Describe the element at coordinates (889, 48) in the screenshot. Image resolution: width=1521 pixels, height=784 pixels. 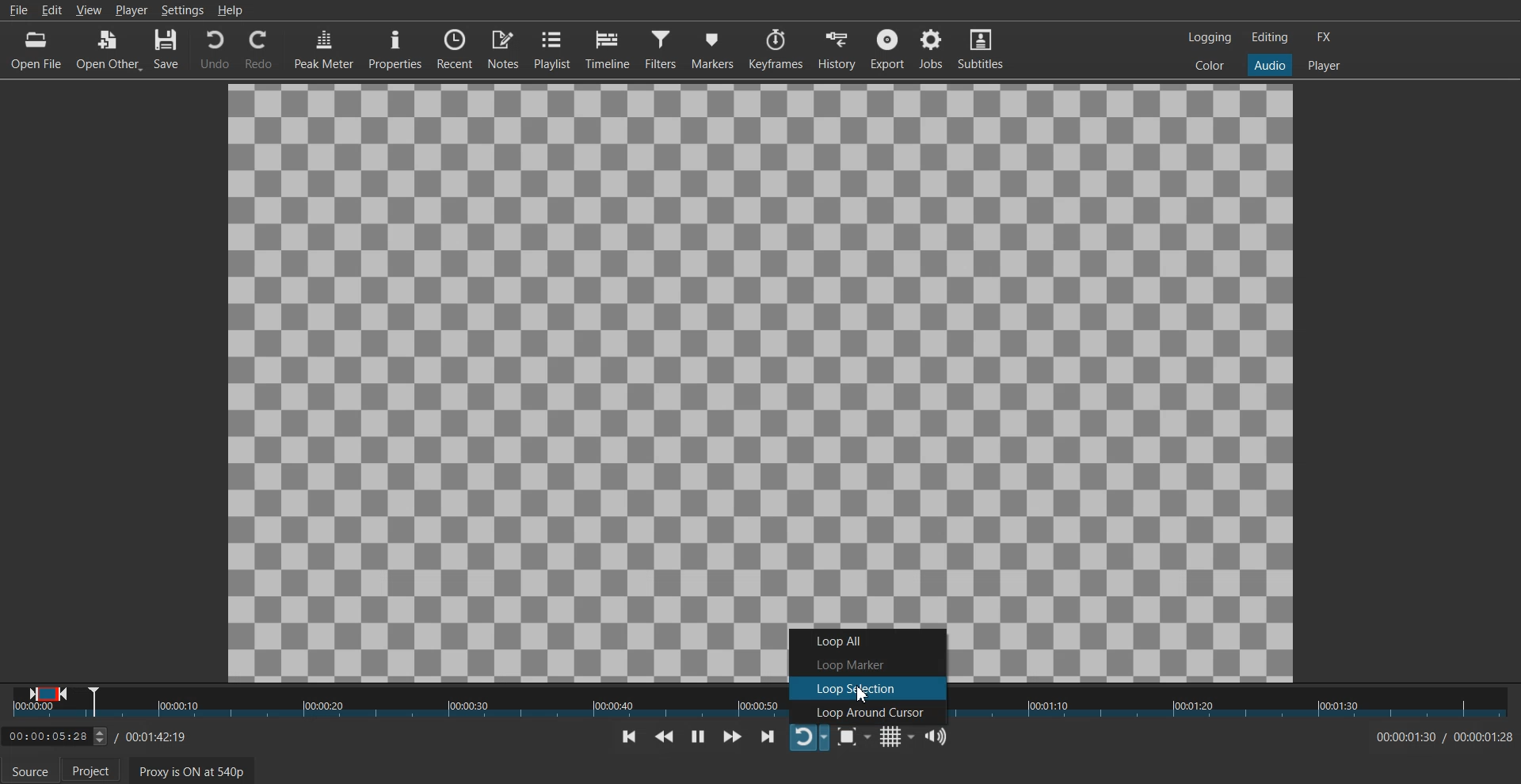
I see `Export` at that location.